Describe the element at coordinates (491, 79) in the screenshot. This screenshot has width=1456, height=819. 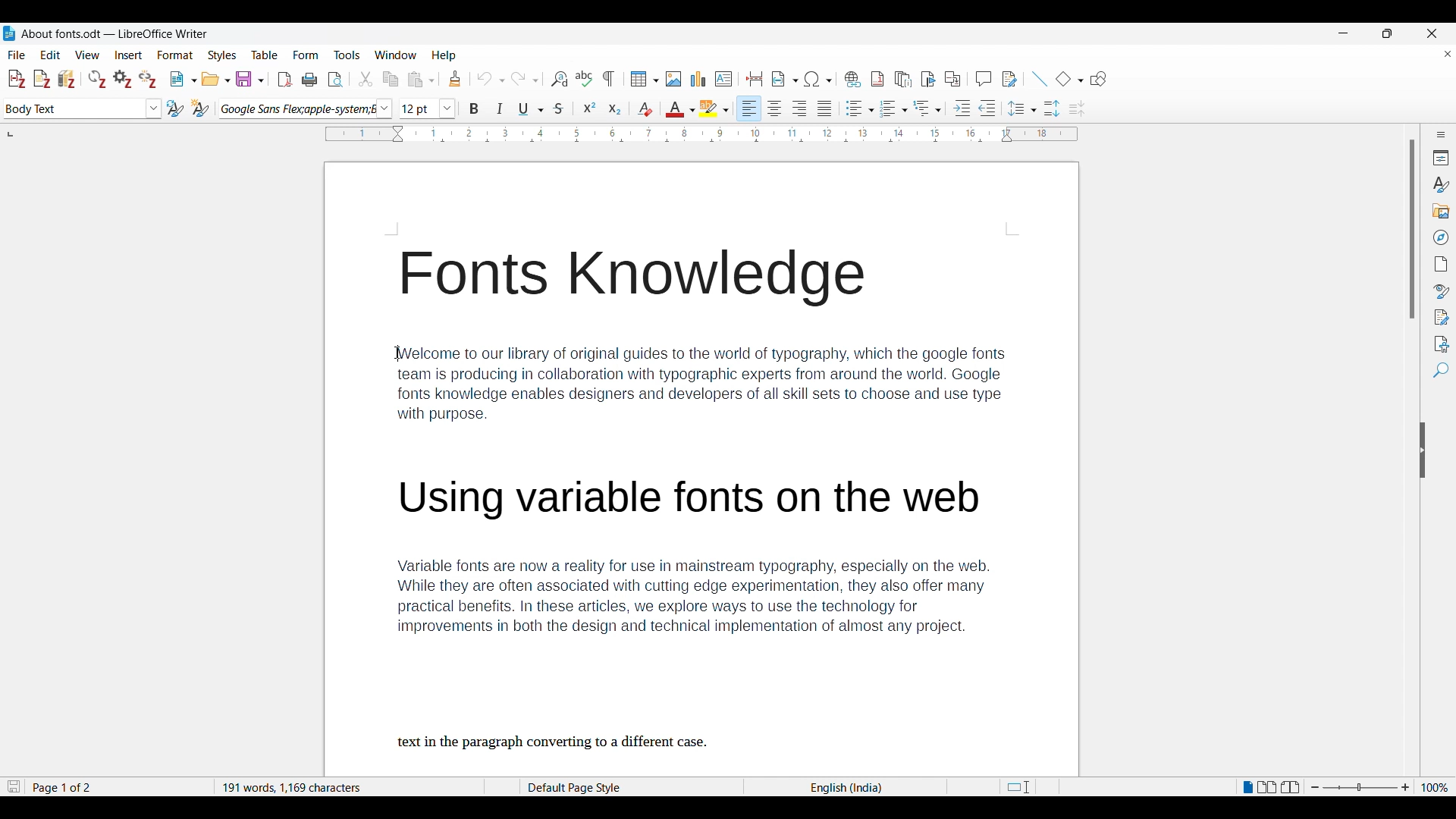
I see `Undo` at that location.